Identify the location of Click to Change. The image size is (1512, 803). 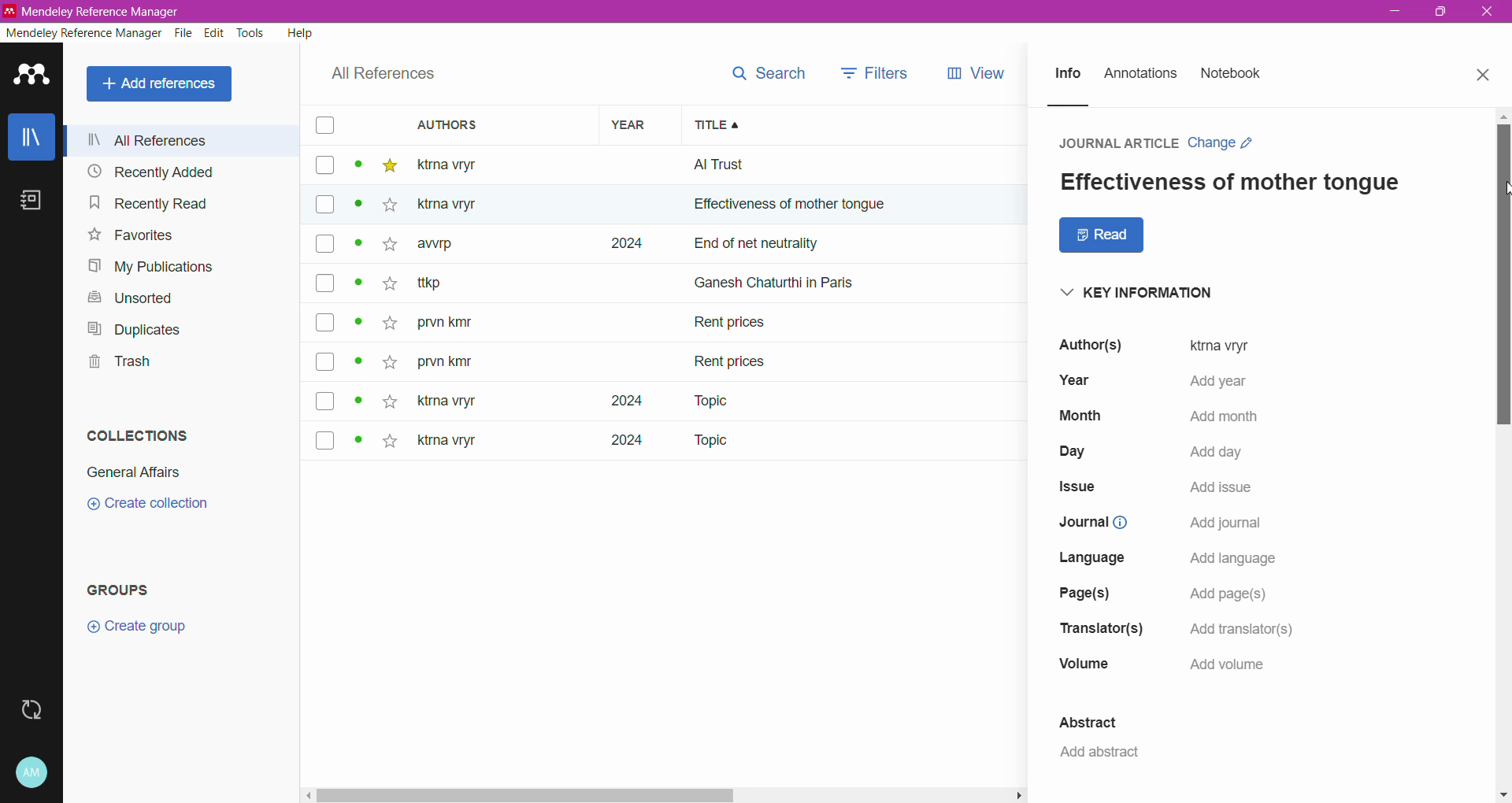
(1225, 144).